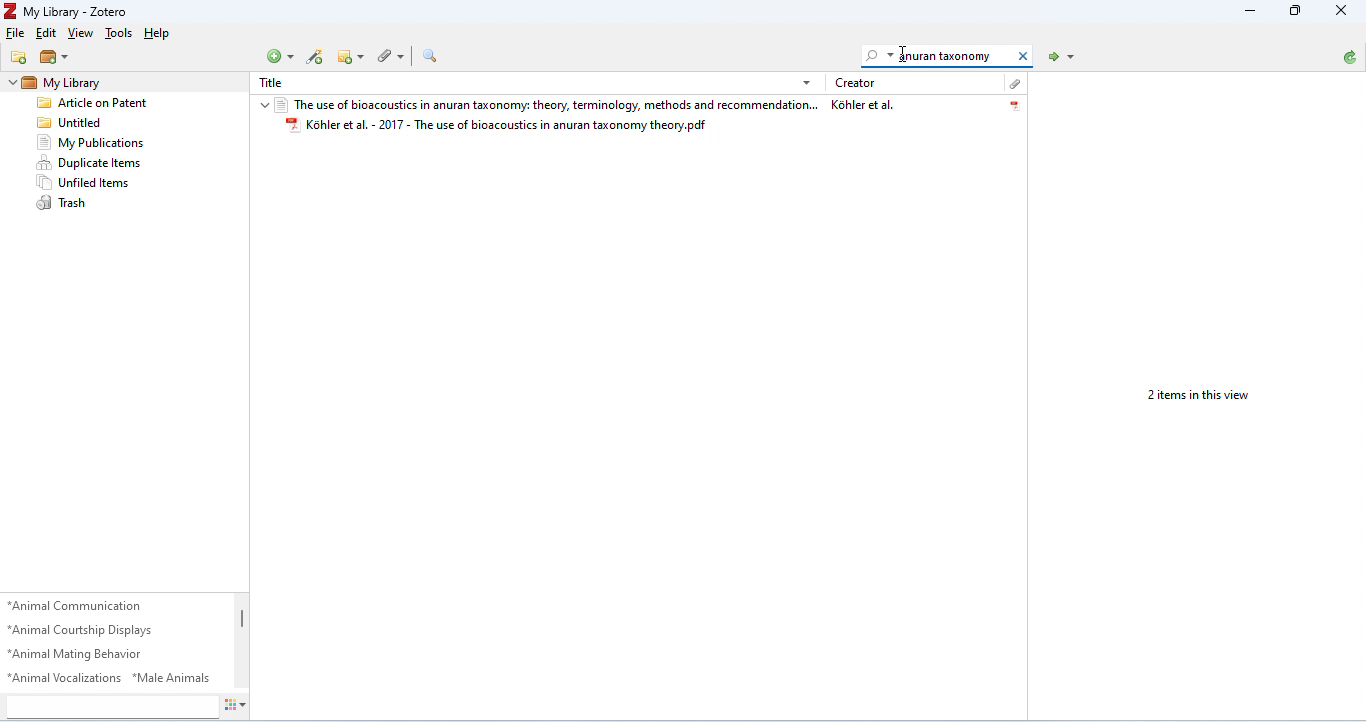 Image resolution: width=1366 pixels, height=722 pixels. What do you see at coordinates (1200, 396) in the screenshot?
I see `2 items in this view` at bounding box center [1200, 396].